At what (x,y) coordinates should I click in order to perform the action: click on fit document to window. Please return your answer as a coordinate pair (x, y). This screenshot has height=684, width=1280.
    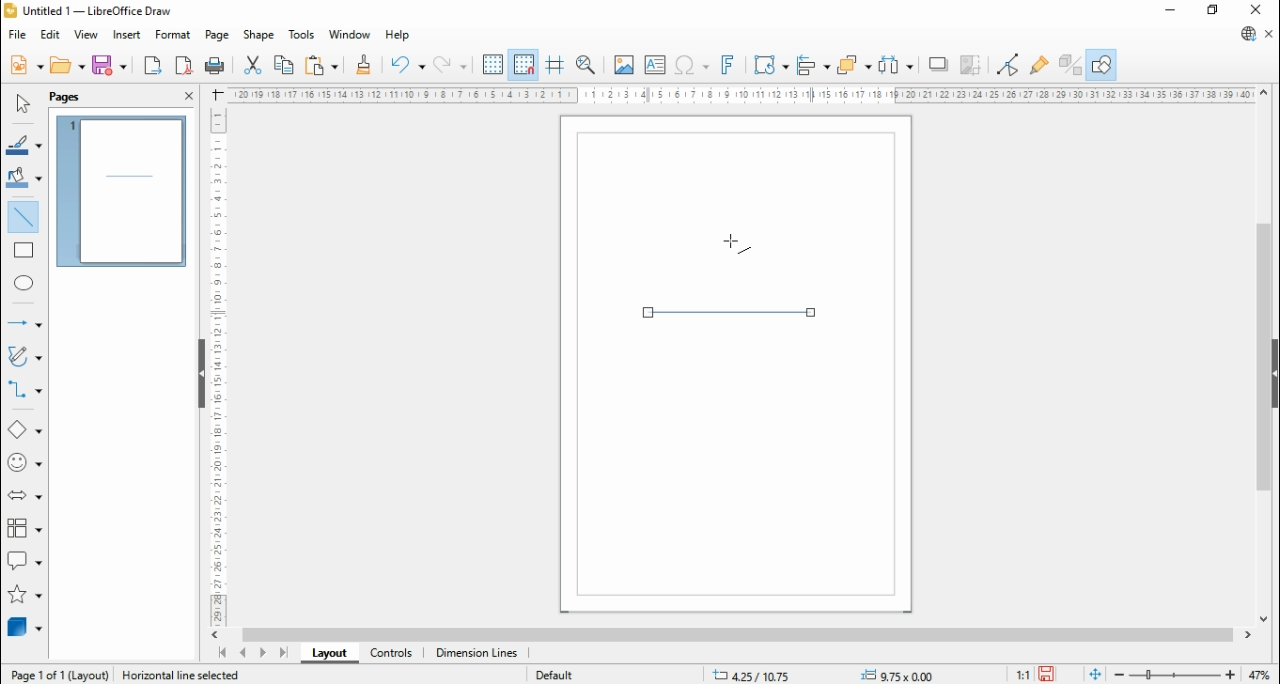
    Looking at the image, I should click on (1095, 675).